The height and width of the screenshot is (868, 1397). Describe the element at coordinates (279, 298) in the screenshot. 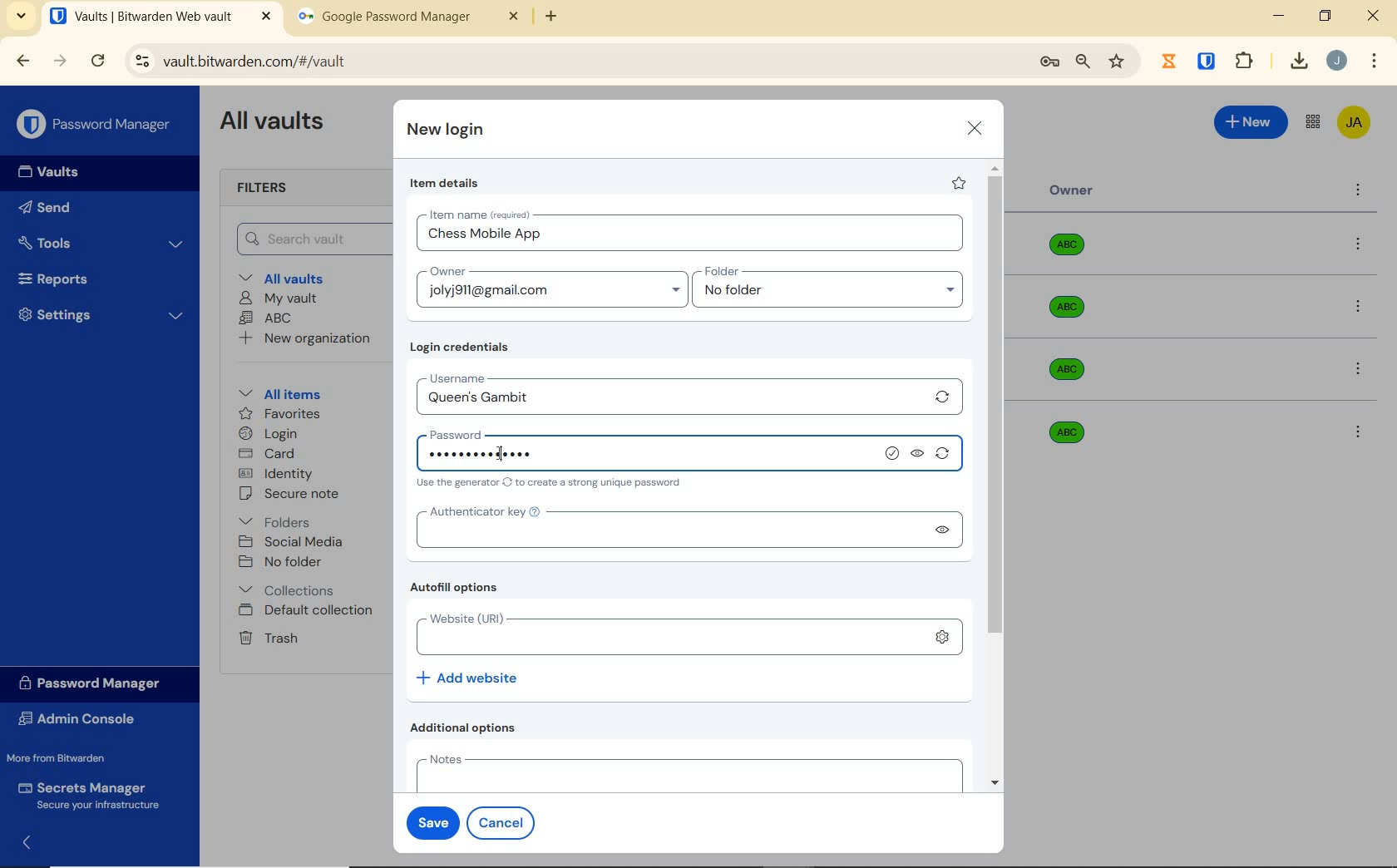

I see `My Vault` at that location.